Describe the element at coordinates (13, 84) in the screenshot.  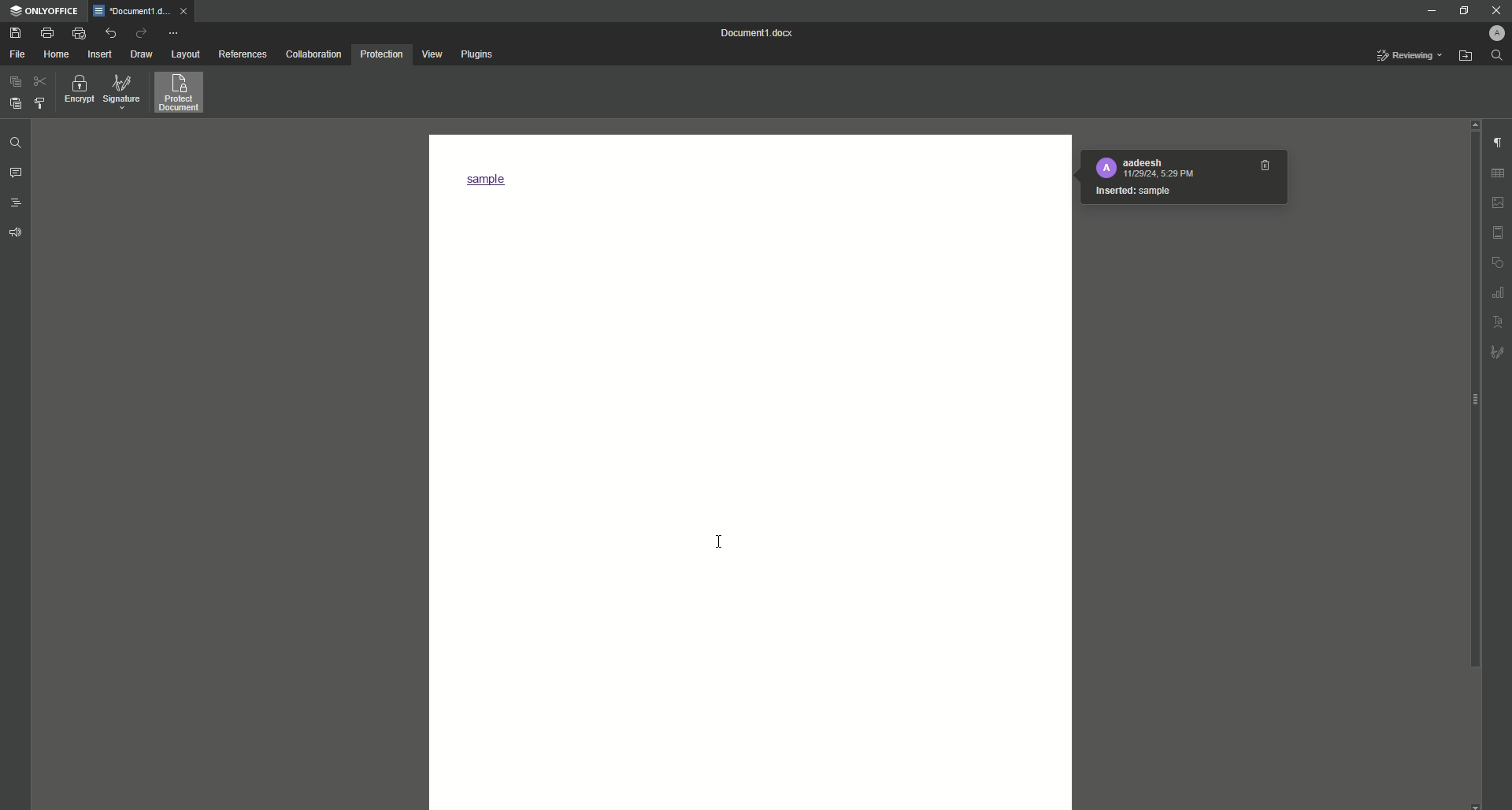
I see `Paste` at that location.